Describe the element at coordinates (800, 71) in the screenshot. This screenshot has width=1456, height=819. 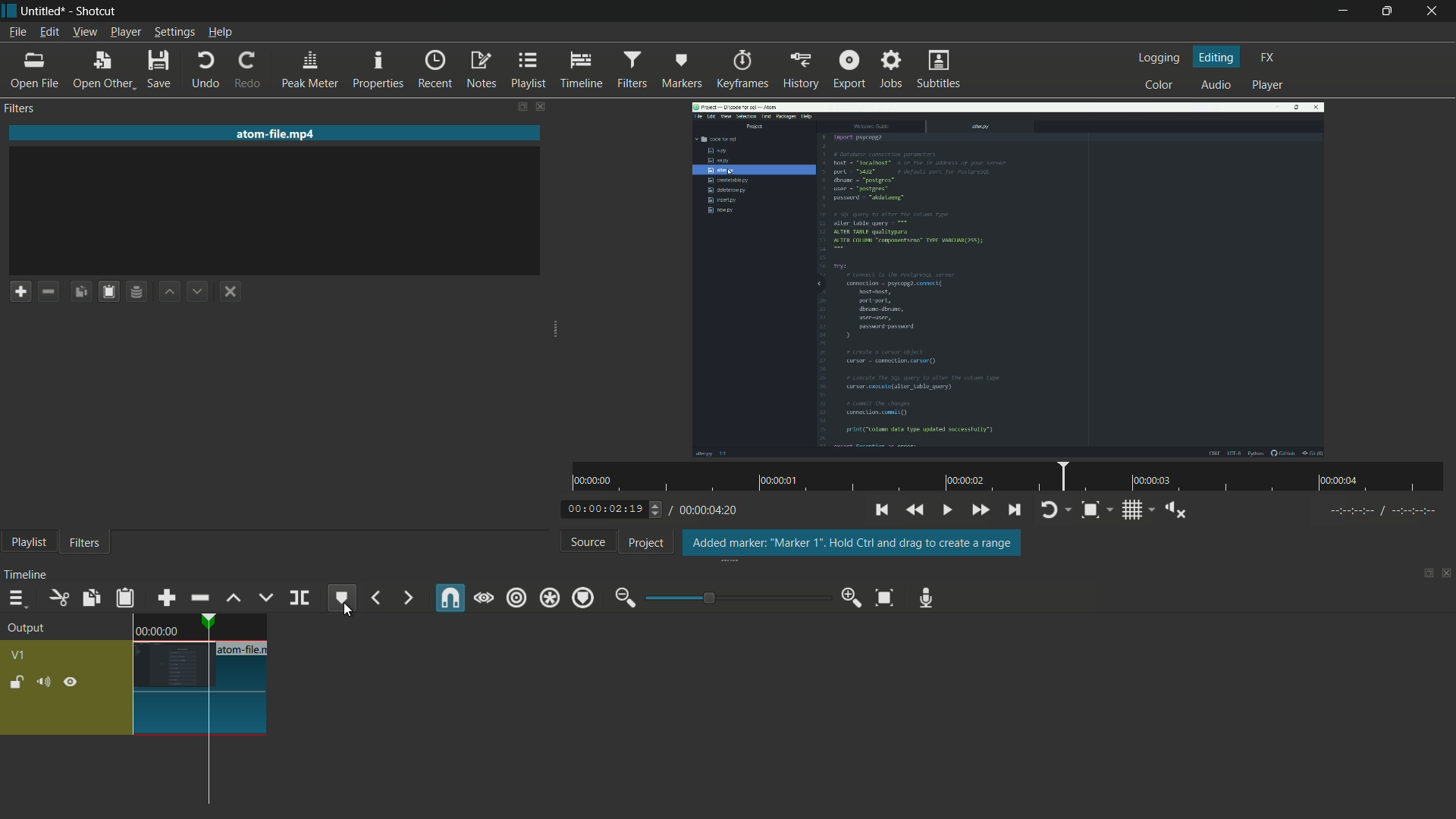
I see `history` at that location.